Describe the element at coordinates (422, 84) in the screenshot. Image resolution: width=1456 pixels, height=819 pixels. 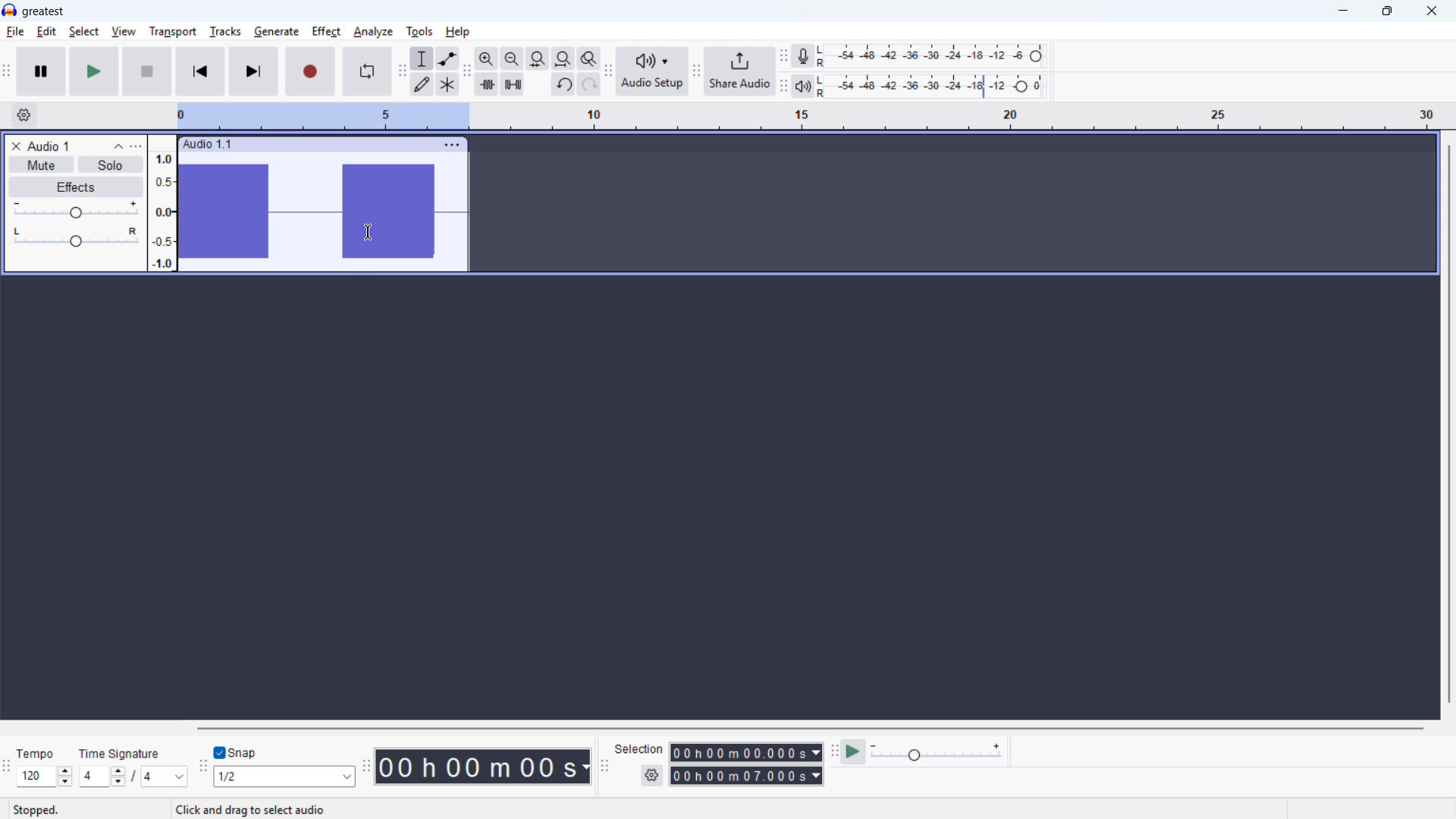
I see `Draw tool ` at that location.